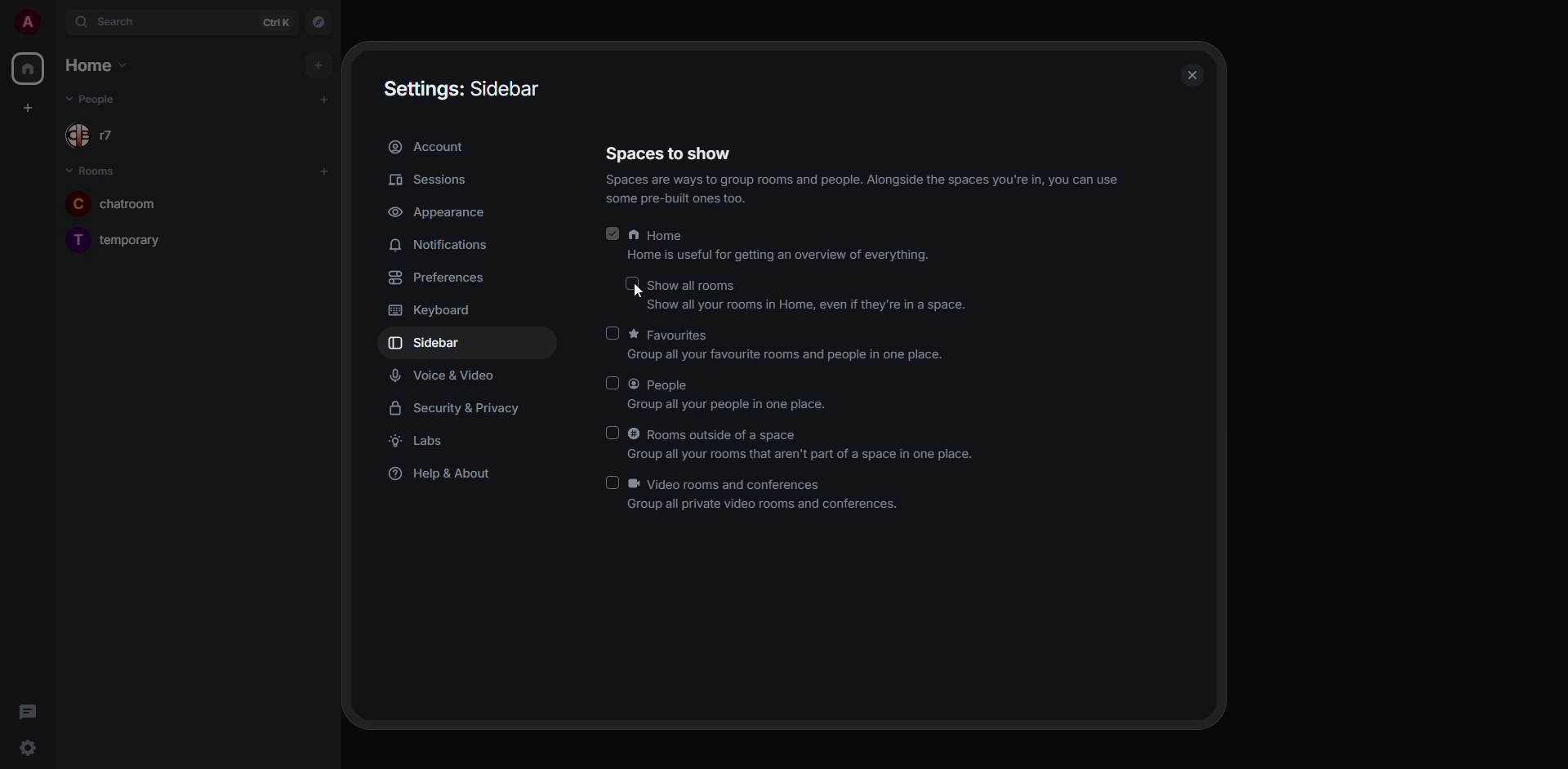  Describe the element at coordinates (449, 476) in the screenshot. I see `help & about` at that location.